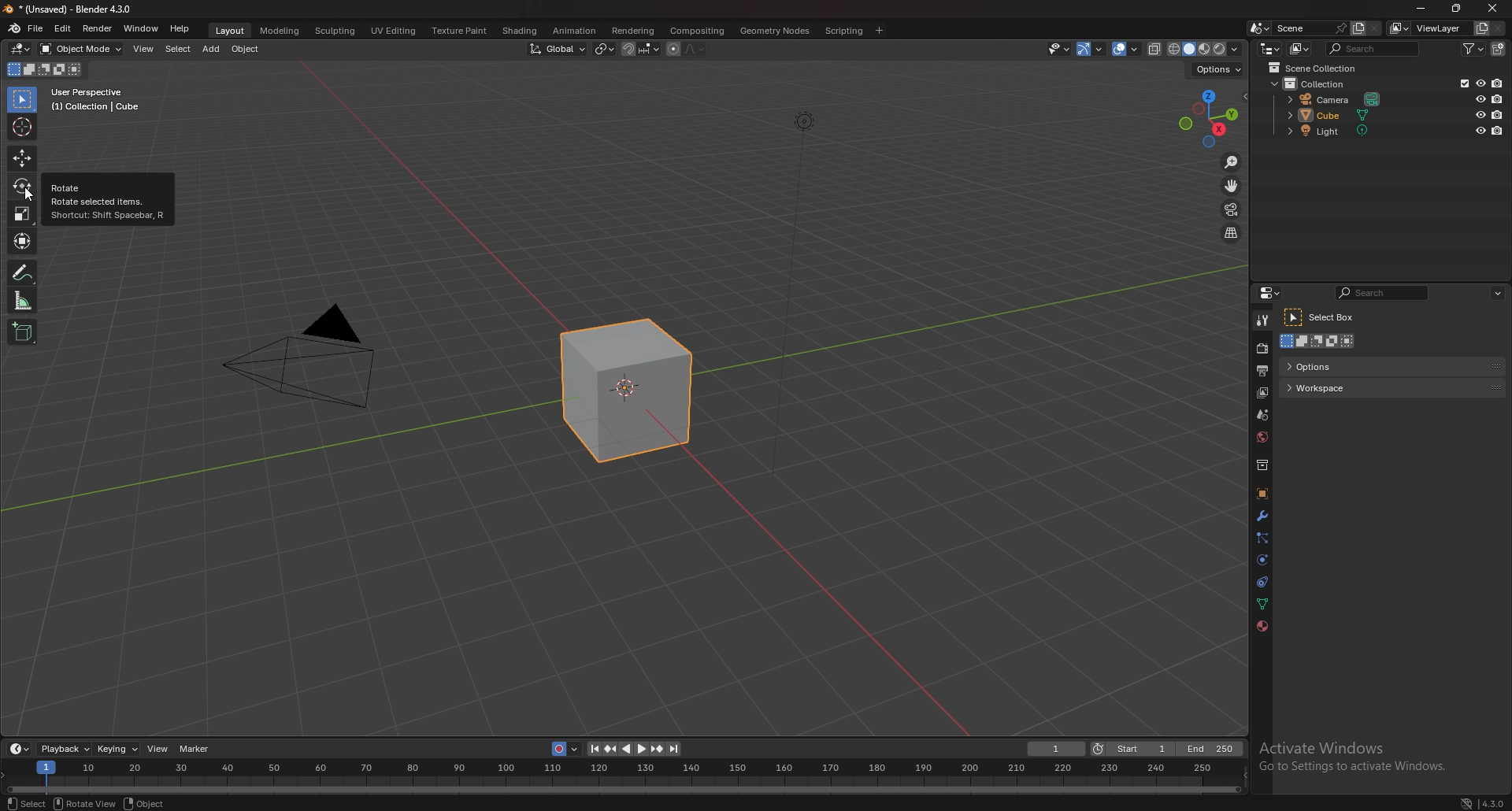 This screenshot has width=1512, height=811. What do you see at coordinates (1358, 28) in the screenshot?
I see `add scene` at bounding box center [1358, 28].